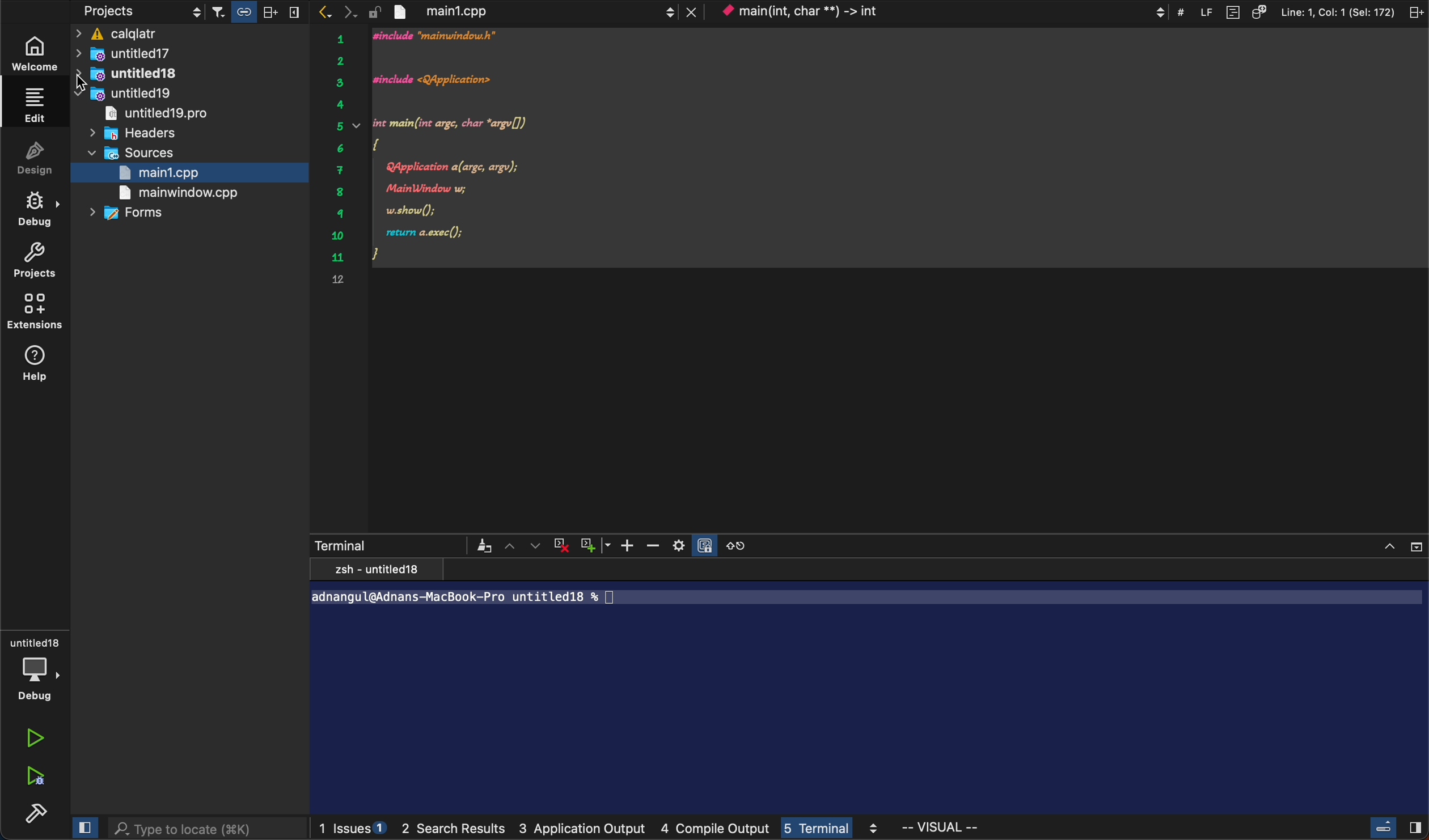 The width and height of the screenshot is (1429, 840). What do you see at coordinates (146, 113) in the screenshot?
I see `headrers` at bounding box center [146, 113].